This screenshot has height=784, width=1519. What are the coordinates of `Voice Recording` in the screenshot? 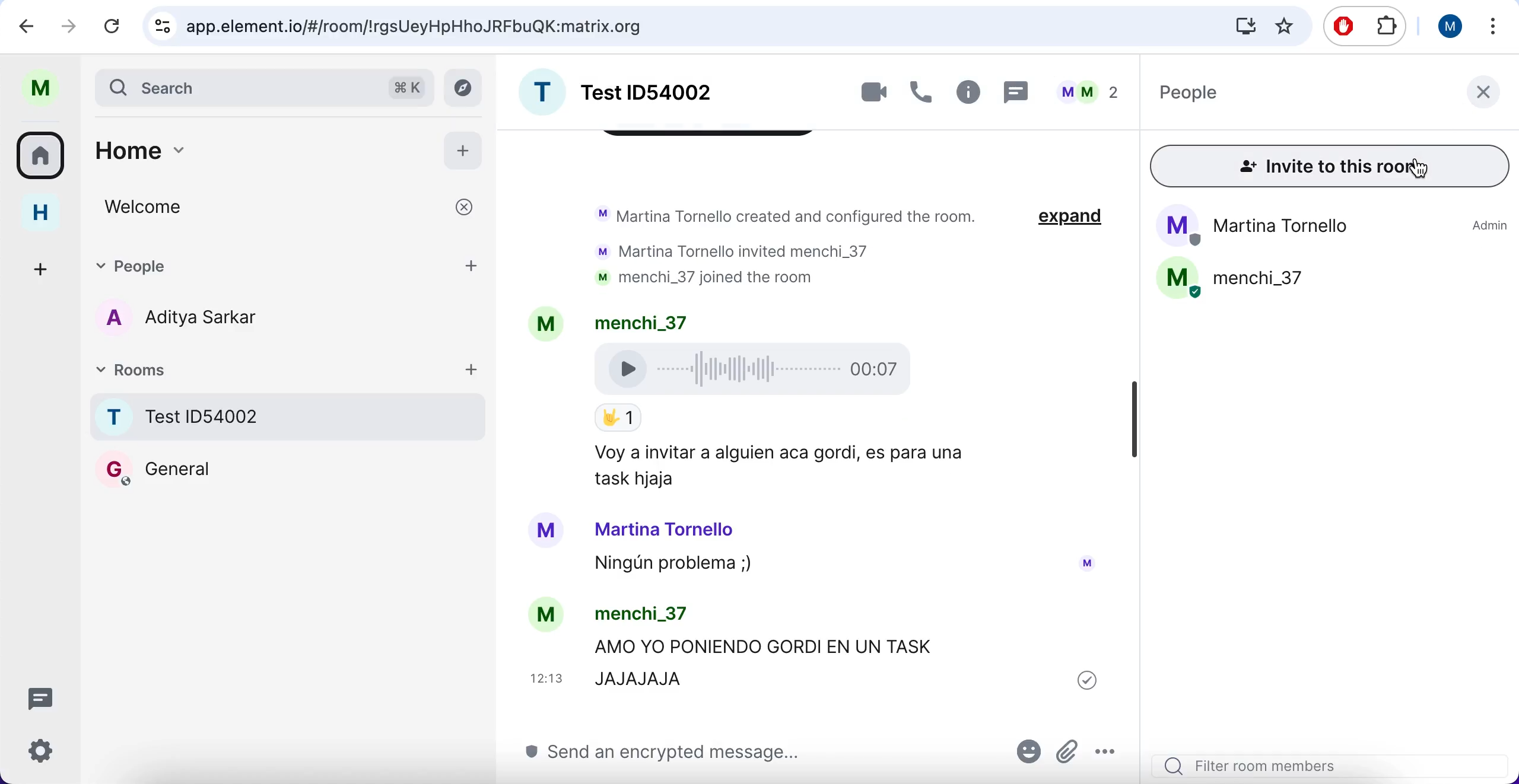 It's located at (758, 372).